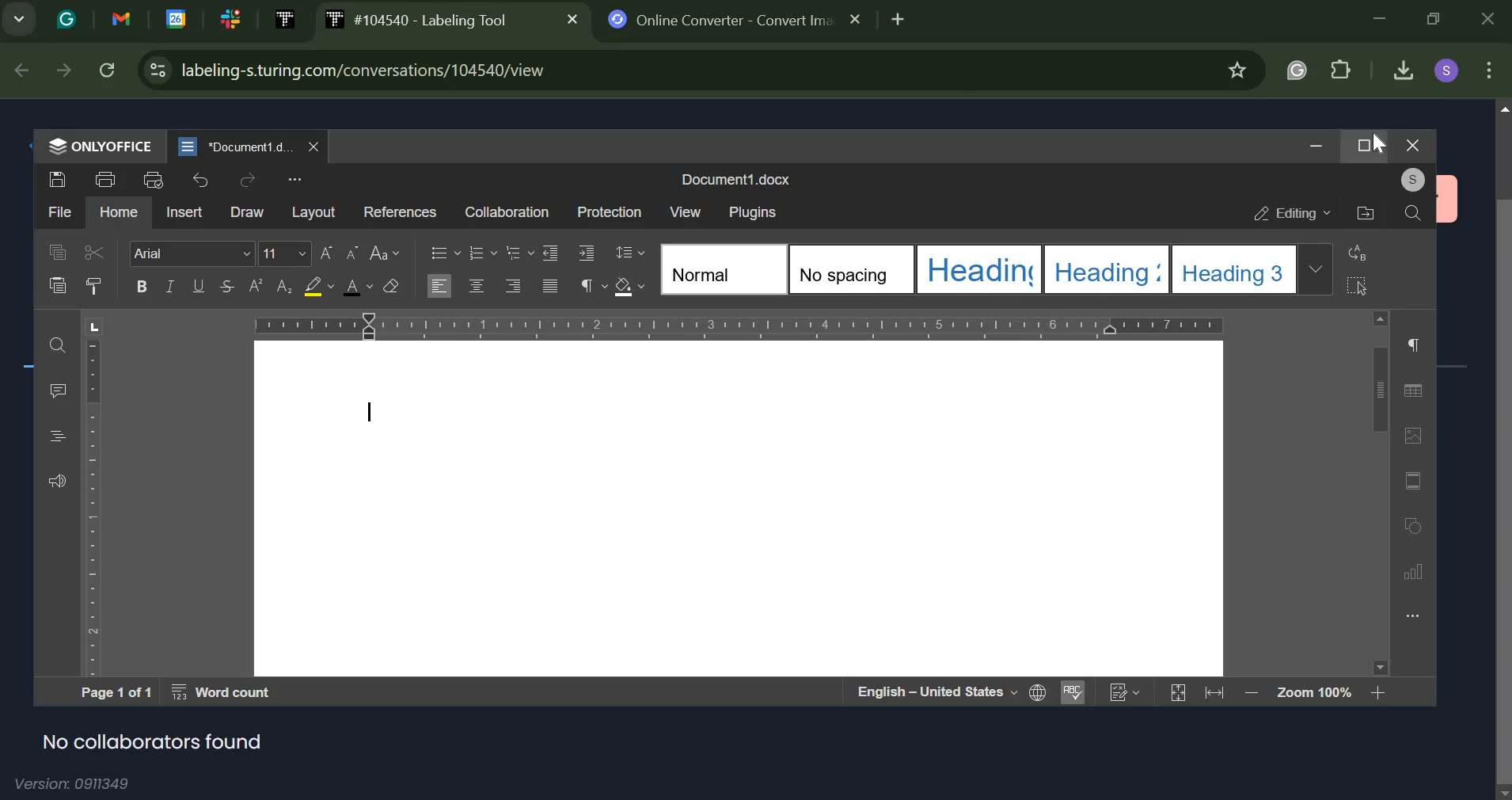  I want to click on collaboration, so click(507, 212).